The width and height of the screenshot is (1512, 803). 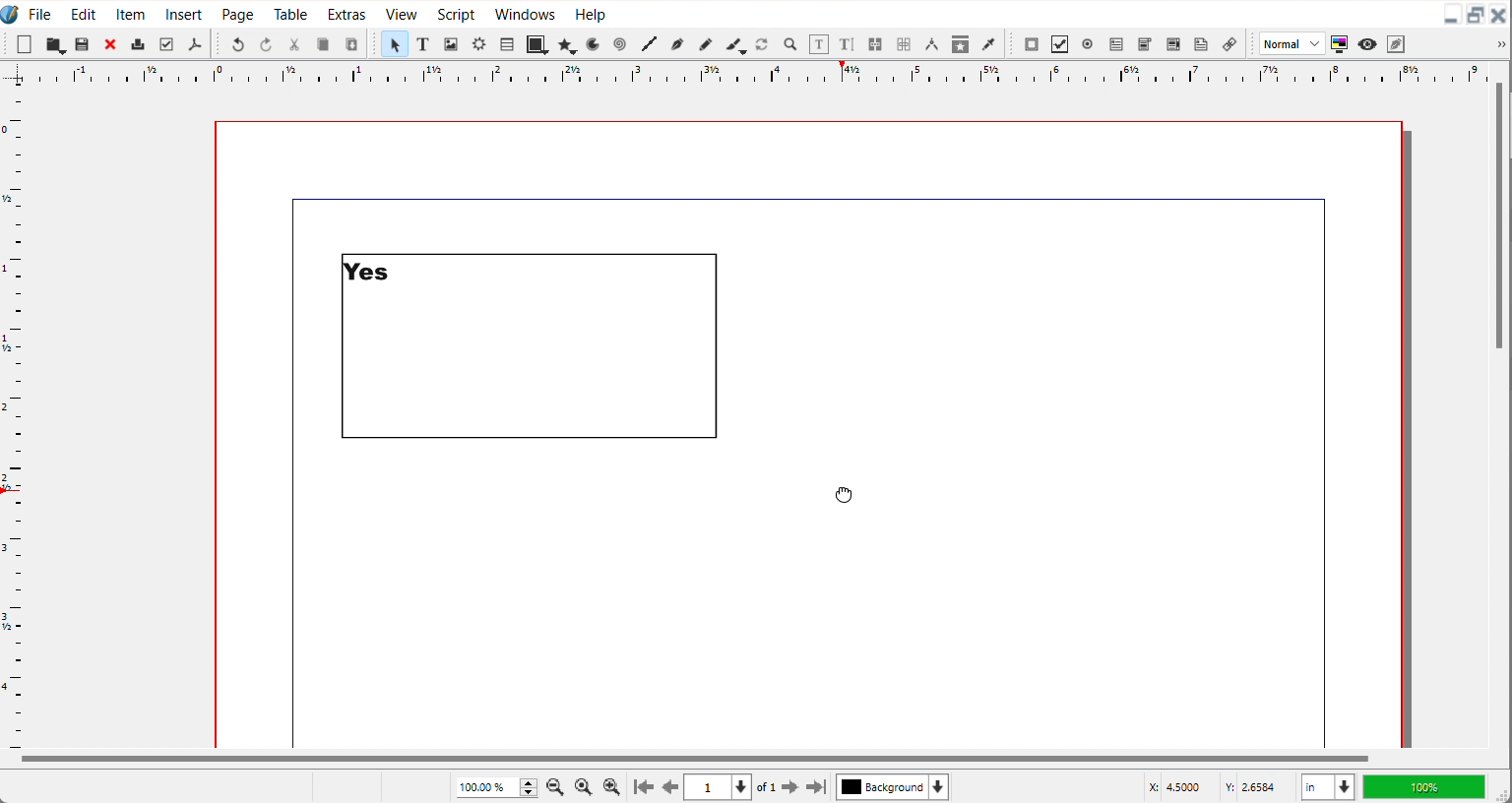 I want to click on Item, so click(x=132, y=14).